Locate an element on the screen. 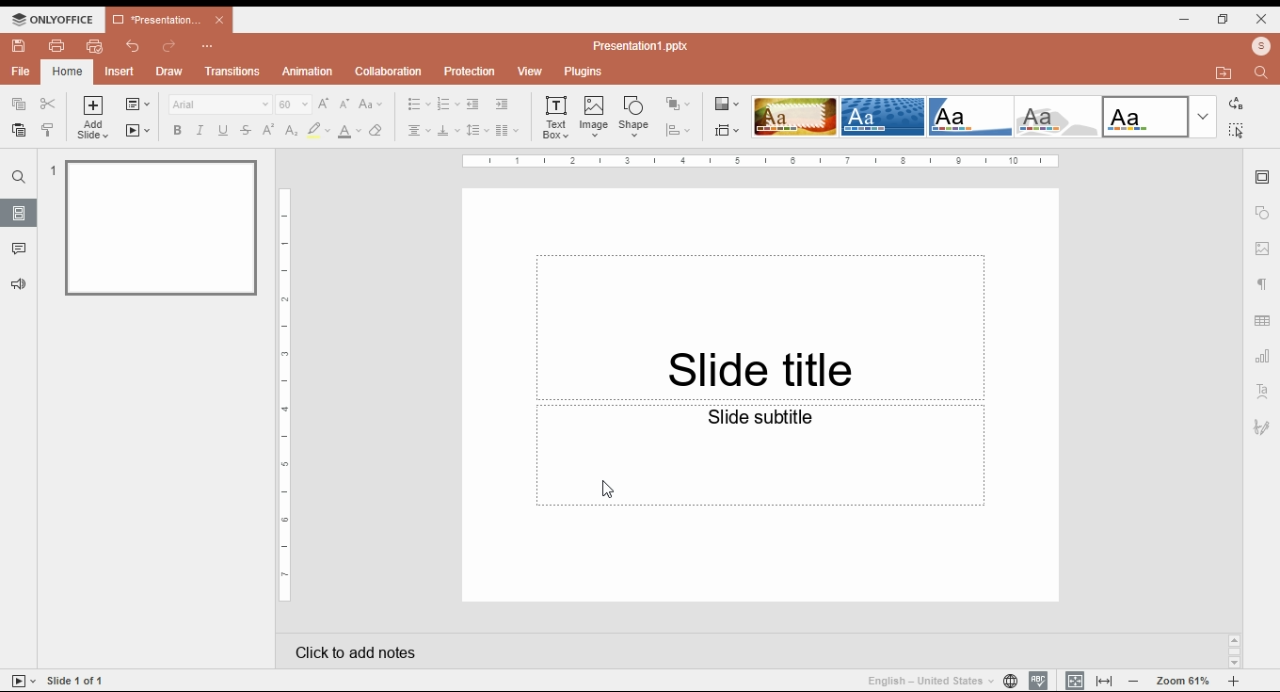  transitions is located at coordinates (232, 71).